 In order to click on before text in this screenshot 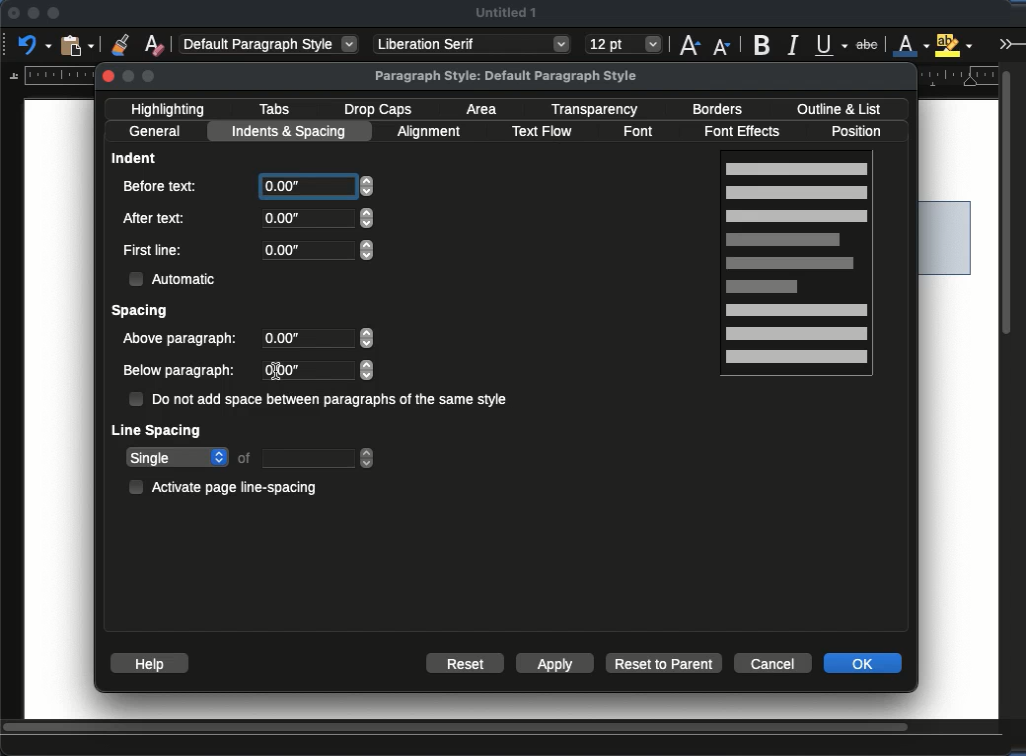, I will do `click(160, 186)`.